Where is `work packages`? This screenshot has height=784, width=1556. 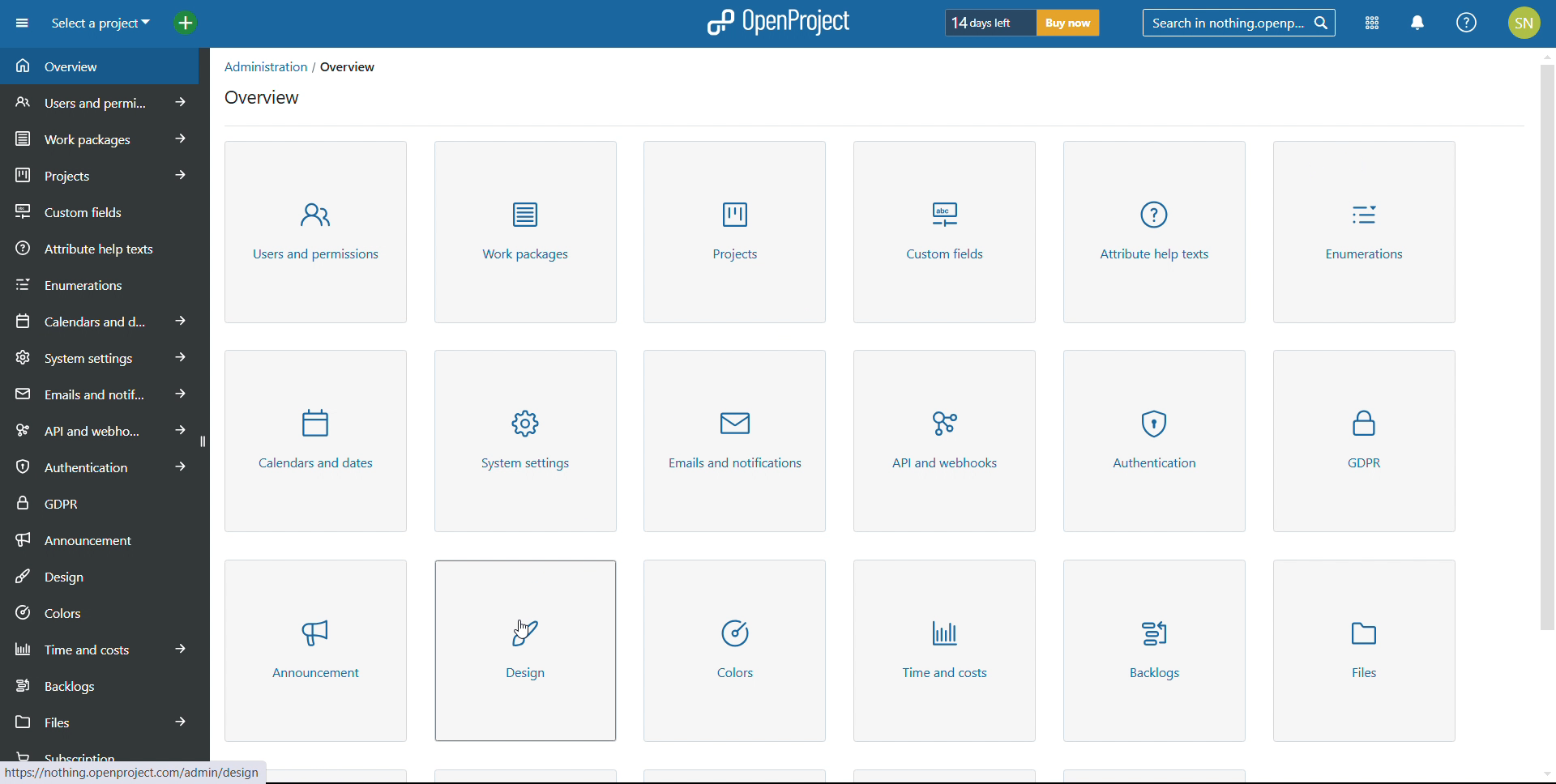 work packages is located at coordinates (525, 232).